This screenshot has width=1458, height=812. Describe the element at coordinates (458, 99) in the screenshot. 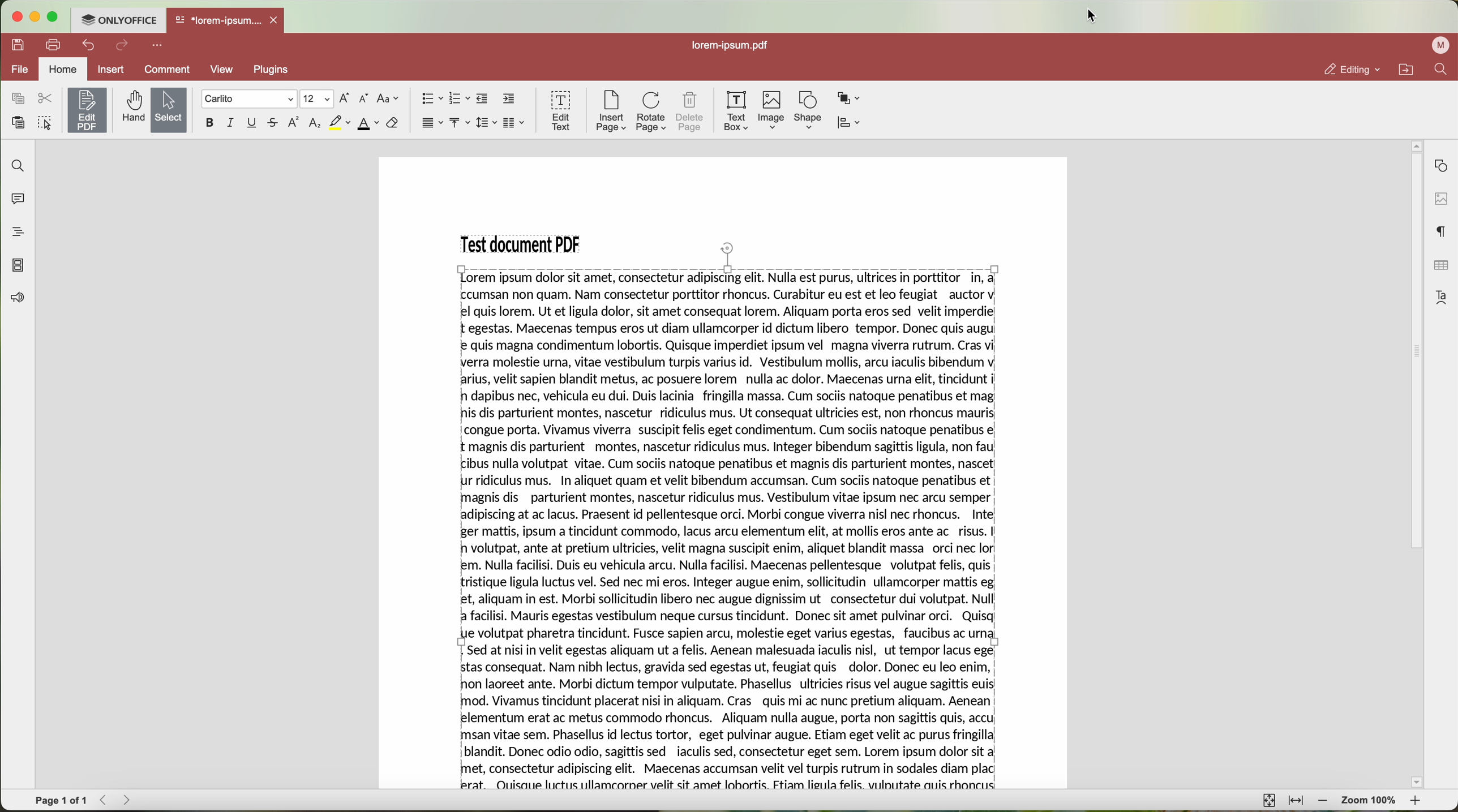

I see `numbered list` at that location.